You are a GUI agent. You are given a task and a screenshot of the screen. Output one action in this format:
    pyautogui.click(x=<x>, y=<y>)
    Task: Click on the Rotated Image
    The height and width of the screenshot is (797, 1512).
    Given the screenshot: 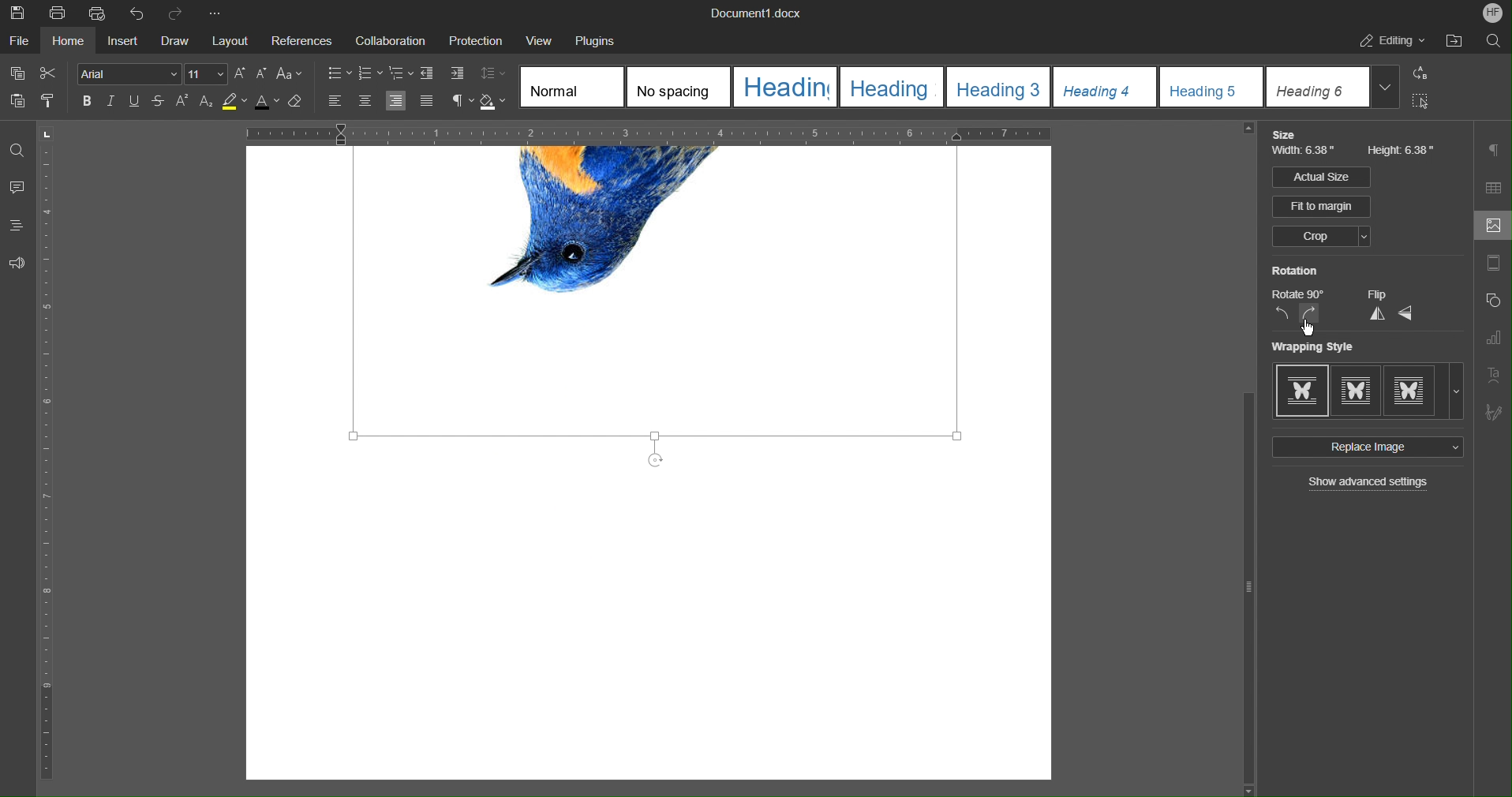 What is the action you would take?
    pyautogui.click(x=653, y=309)
    